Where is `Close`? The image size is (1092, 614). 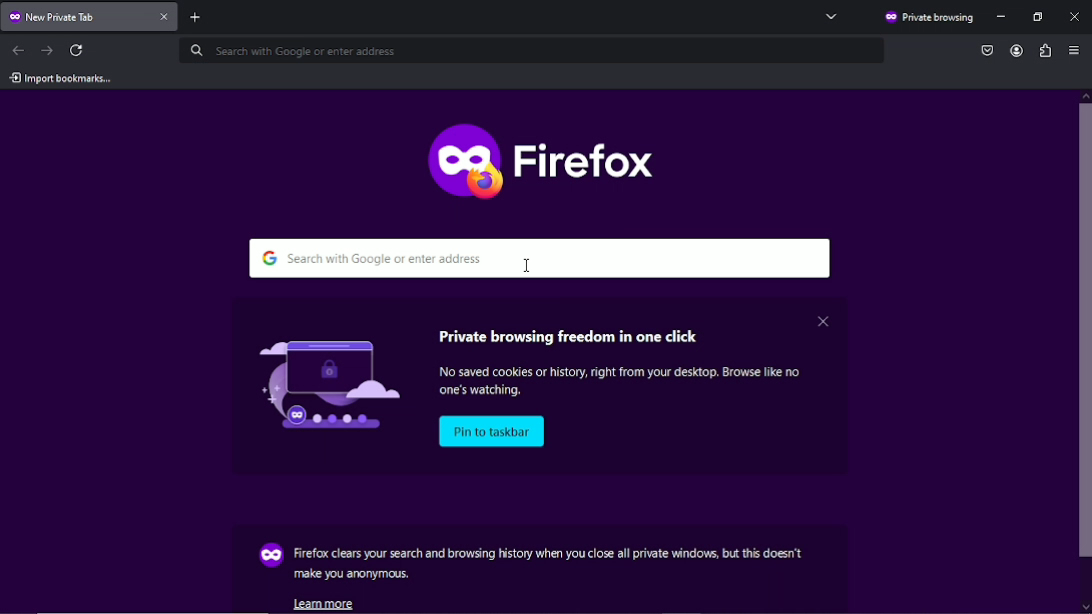 Close is located at coordinates (1075, 15).